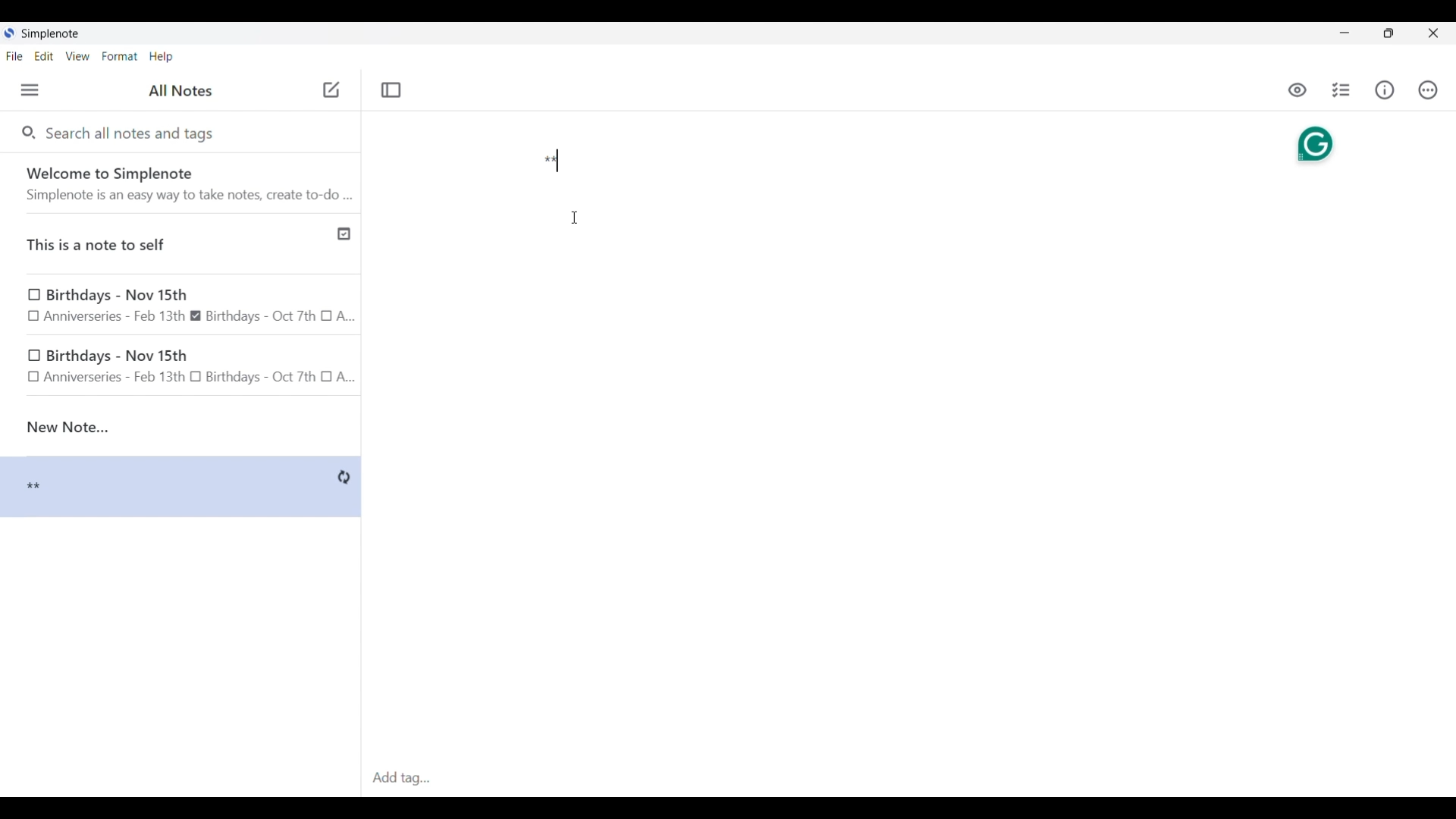 The image size is (1456, 819). What do you see at coordinates (1342, 90) in the screenshot?
I see `Insert checklist` at bounding box center [1342, 90].